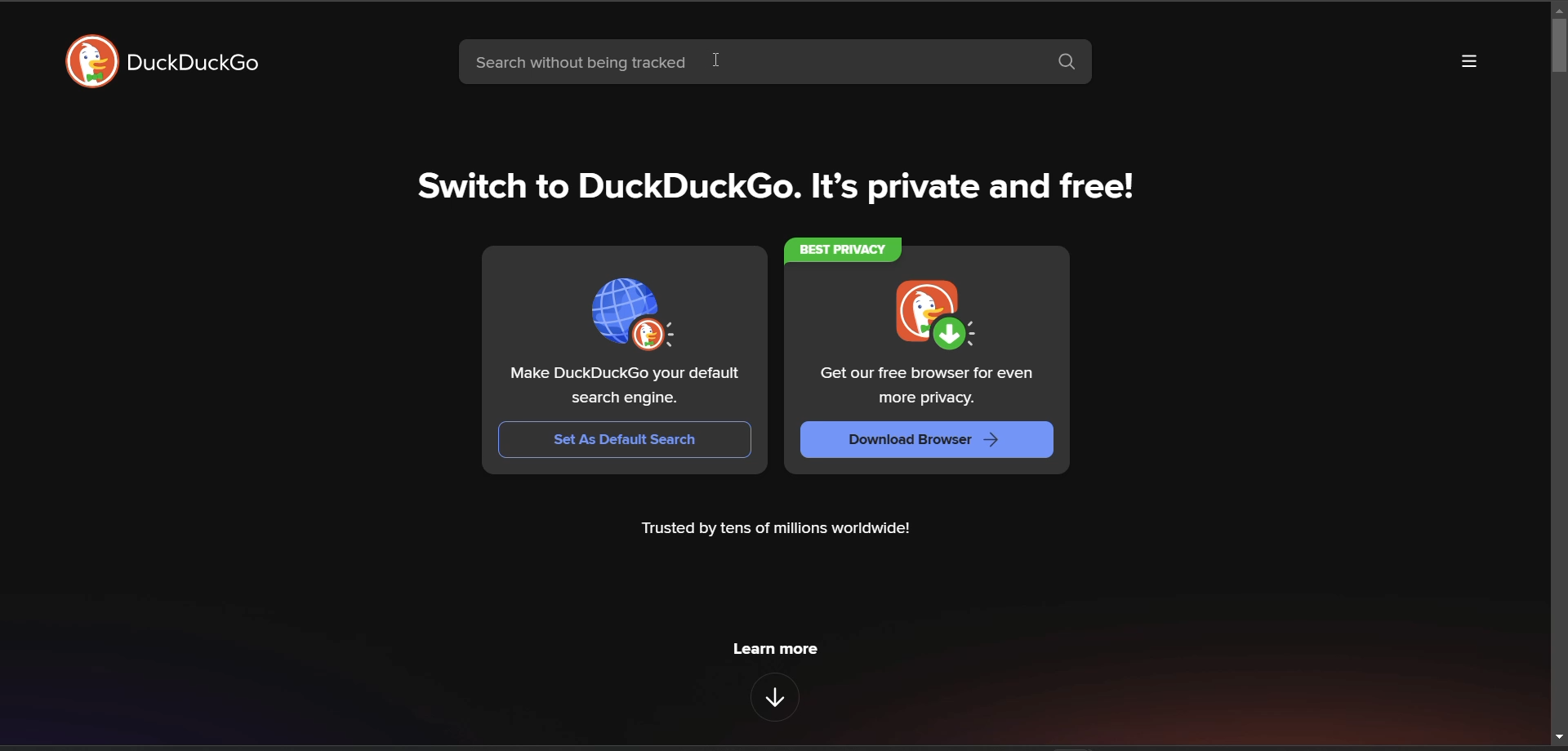 The width and height of the screenshot is (1568, 751). I want to click on vertical scroll bar, so click(1558, 47).